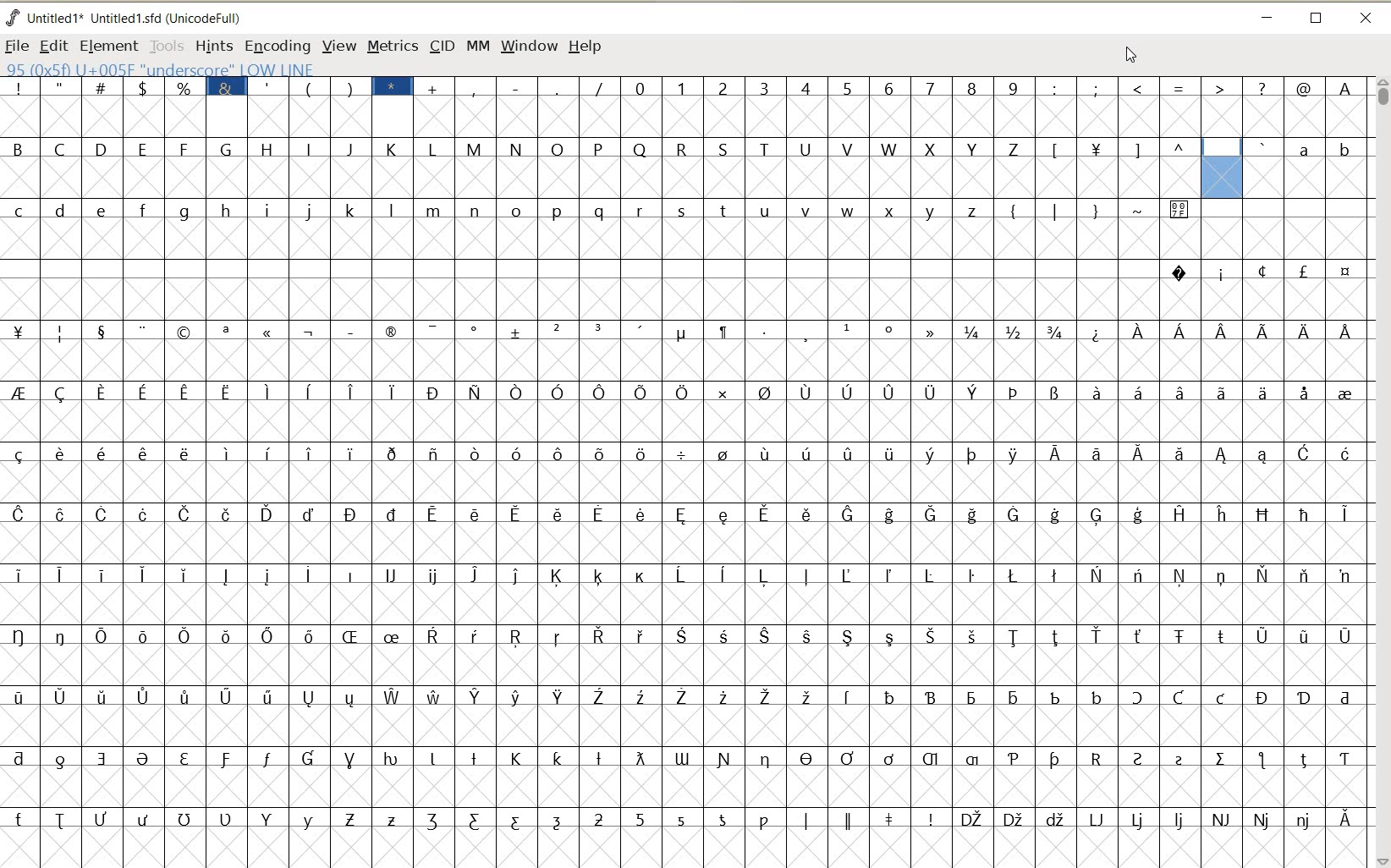  I want to click on ELEMENT, so click(108, 47).